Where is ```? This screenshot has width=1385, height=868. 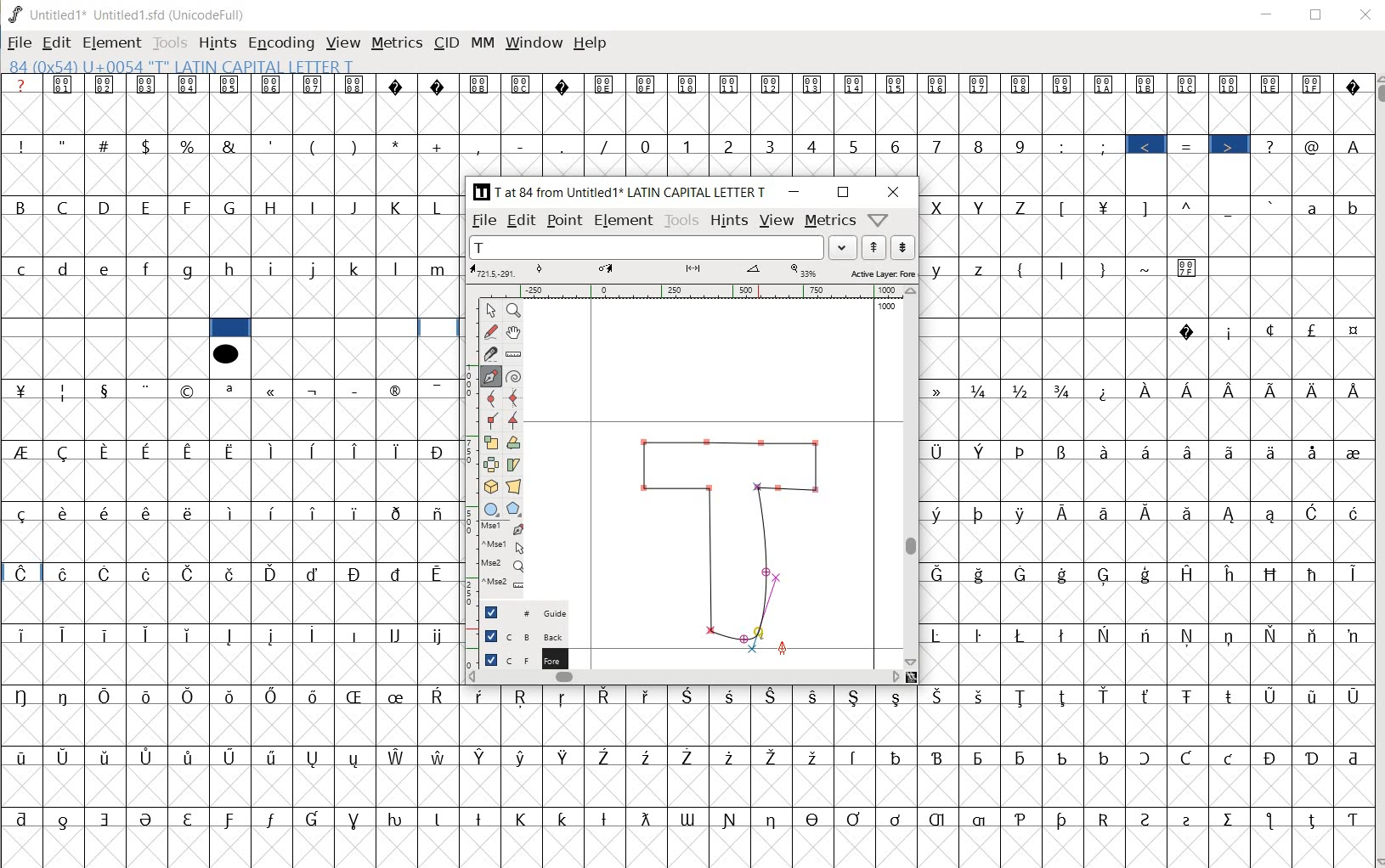
` is located at coordinates (1271, 206).